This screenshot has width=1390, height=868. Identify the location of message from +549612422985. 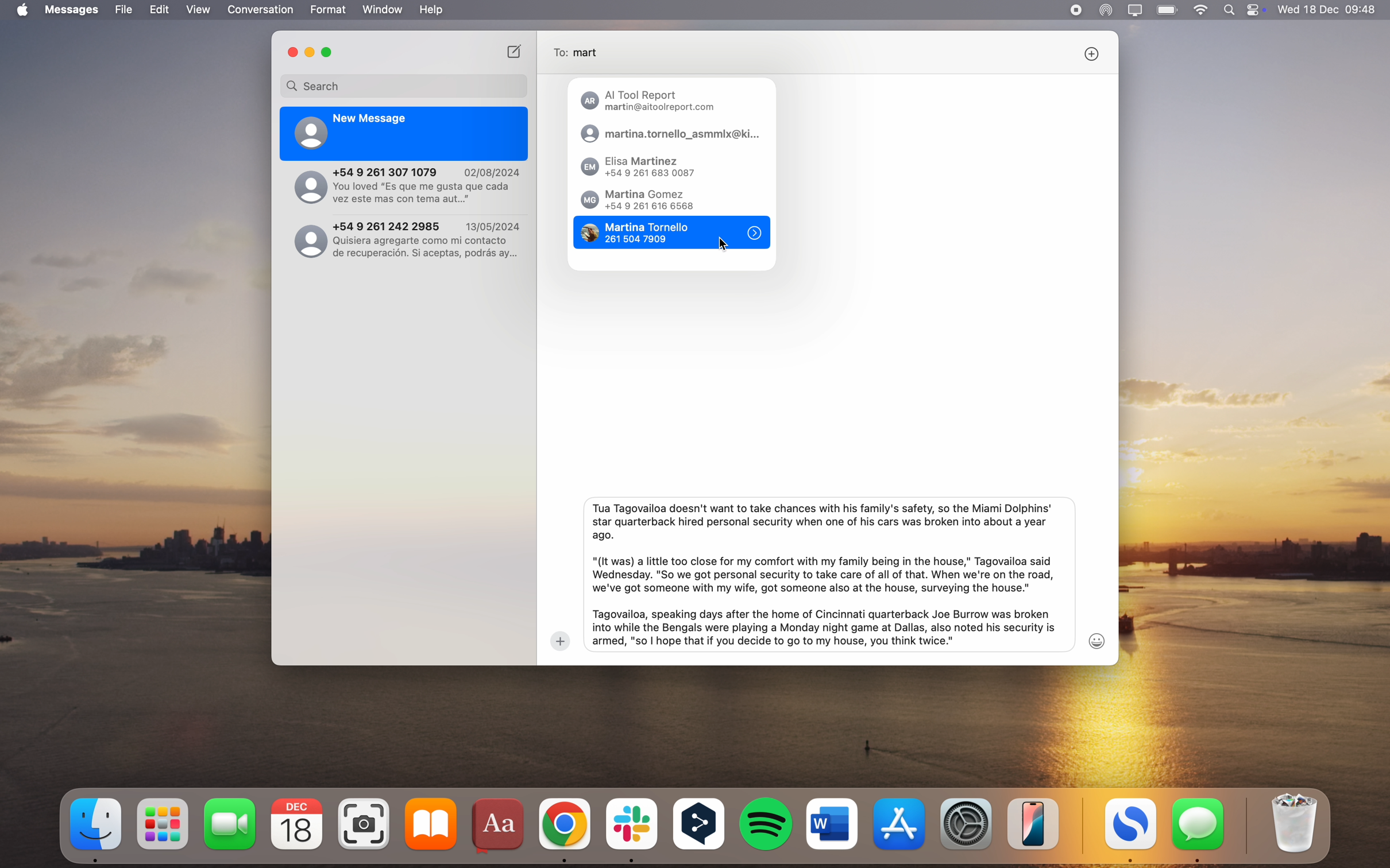
(409, 238).